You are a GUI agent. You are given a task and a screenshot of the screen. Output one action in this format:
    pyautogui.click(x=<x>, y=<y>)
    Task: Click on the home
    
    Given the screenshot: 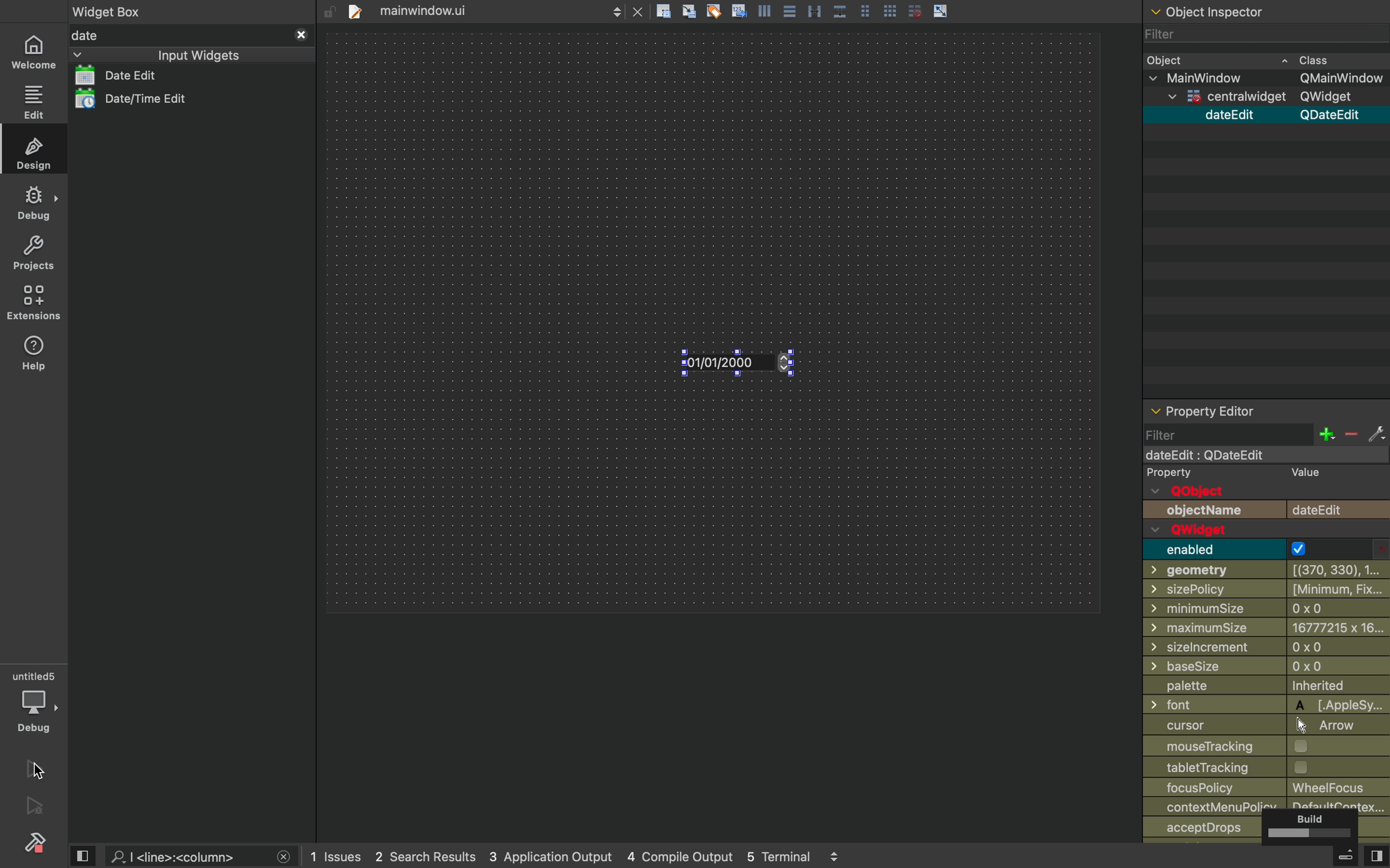 What is the action you would take?
    pyautogui.click(x=32, y=51)
    